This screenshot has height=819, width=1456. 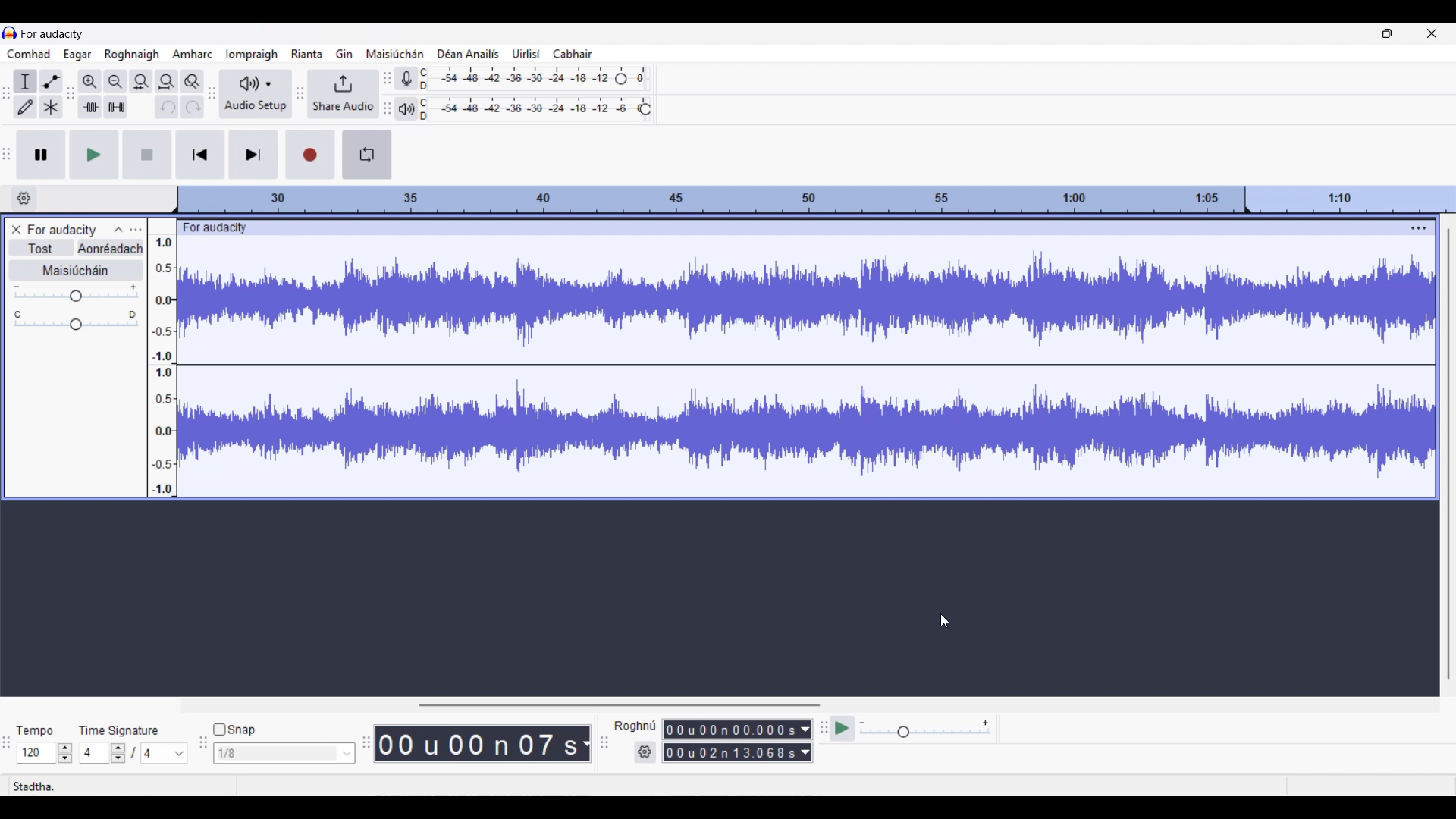 What do you see at coordinates (234, 730) in the screenshot?
I see `Snap toggle` at bounding box center [234, 730].